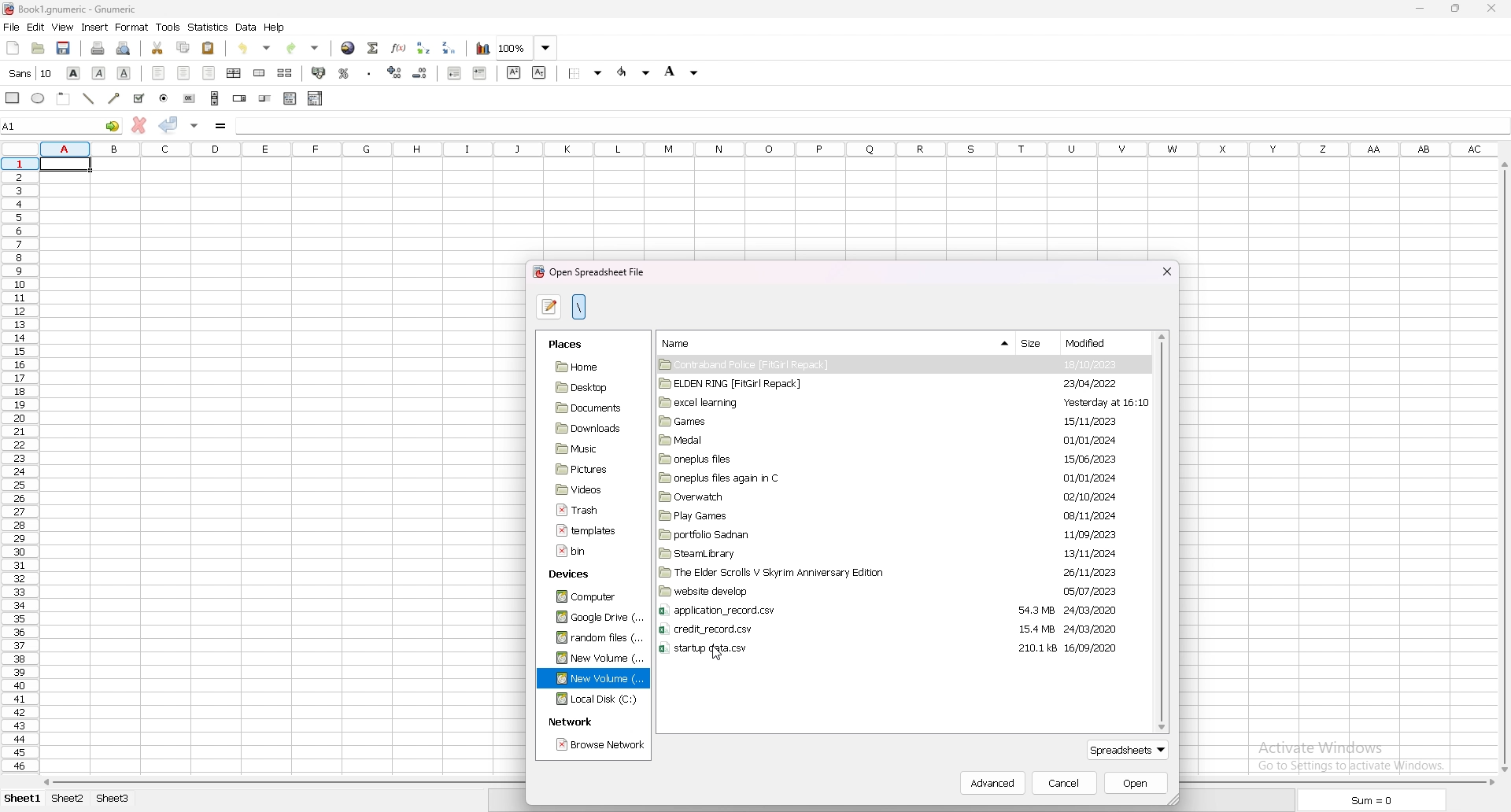  What do you see at coordinates (94, 28) in the screenshot?
I see `insert` at bounding box center [94, 28].